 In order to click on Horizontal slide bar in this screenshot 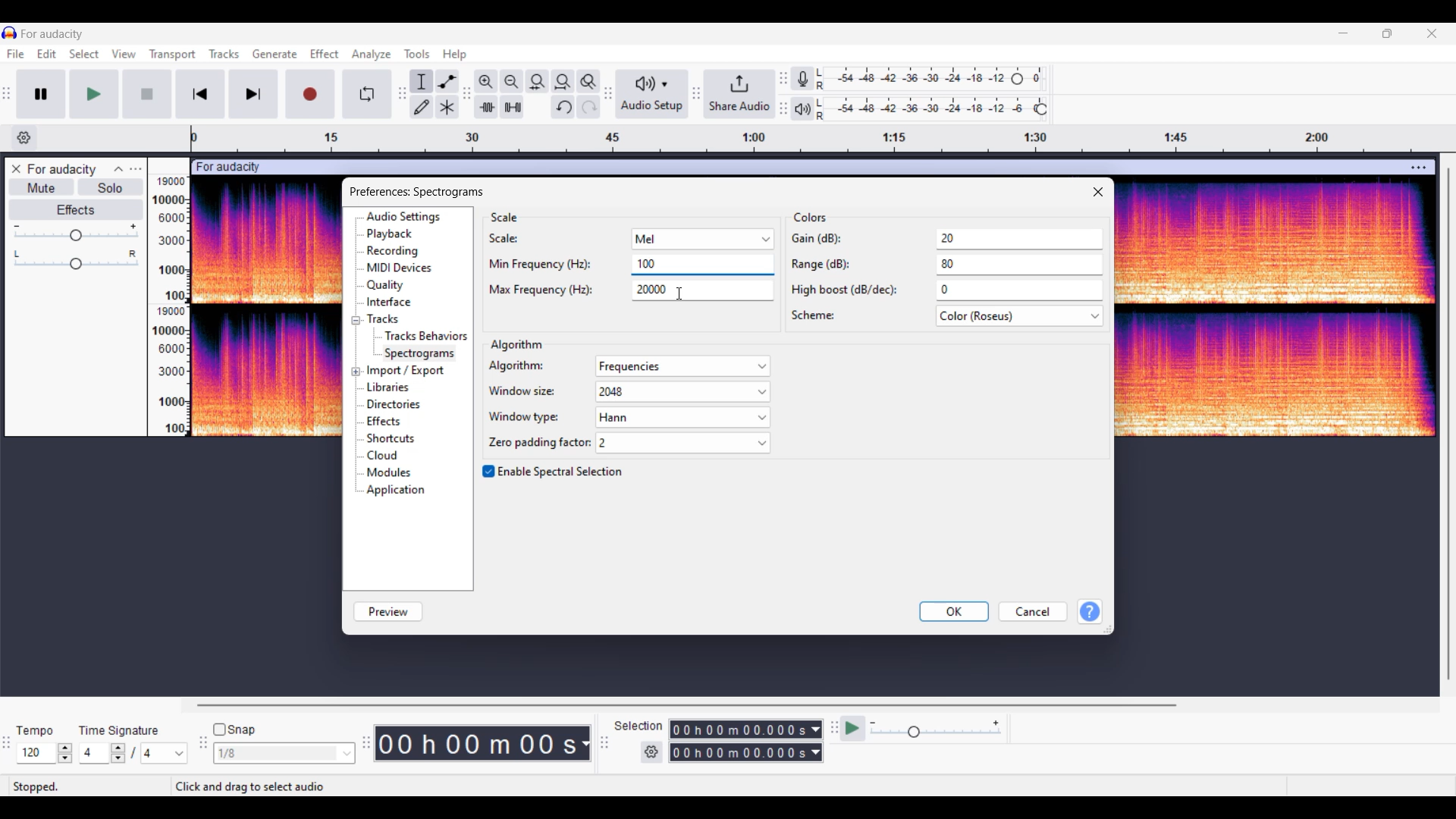, I will do `click(692, 705)`.